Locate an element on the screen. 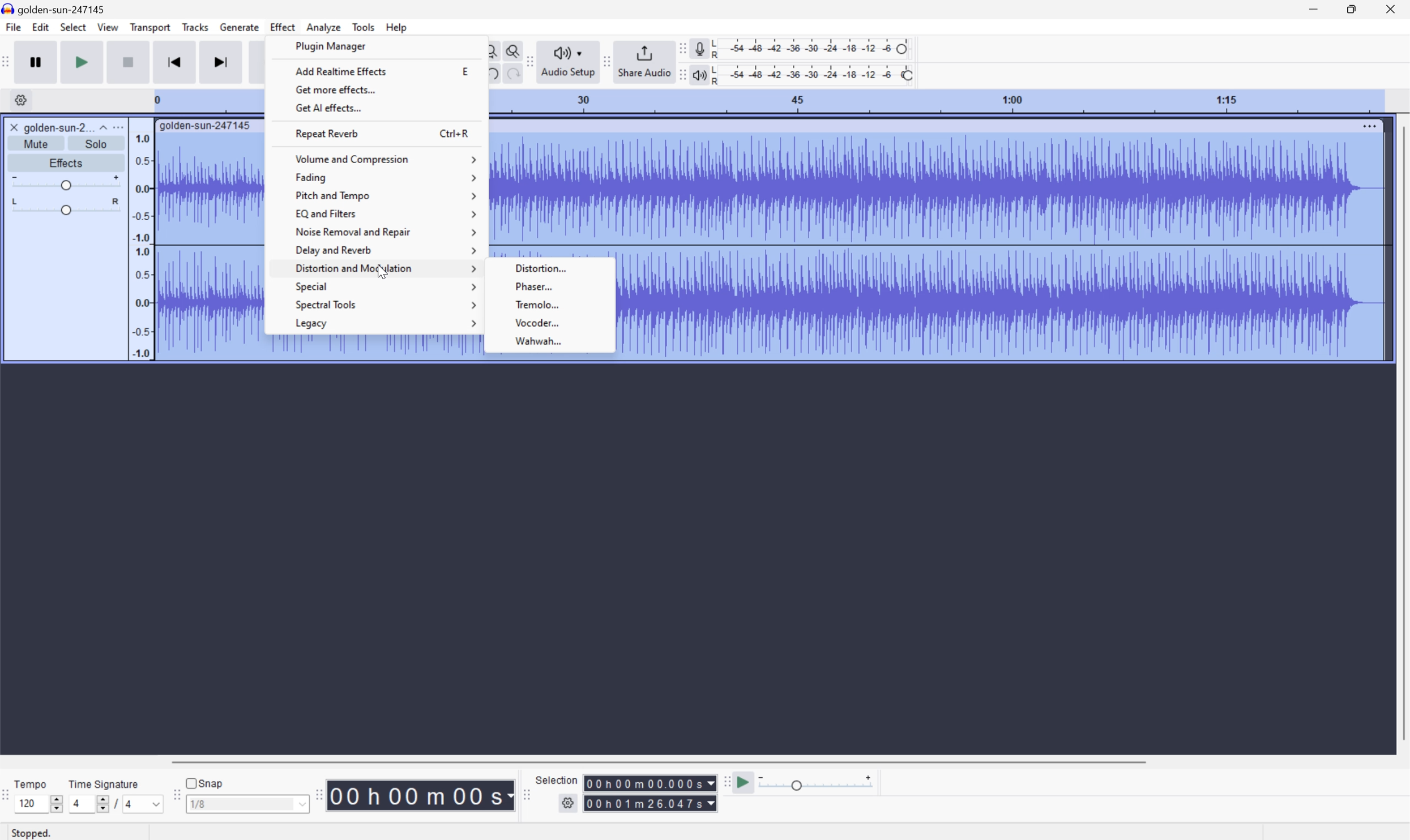 The image size is (1410, 840). Snap is located at coordinates (206, 782).